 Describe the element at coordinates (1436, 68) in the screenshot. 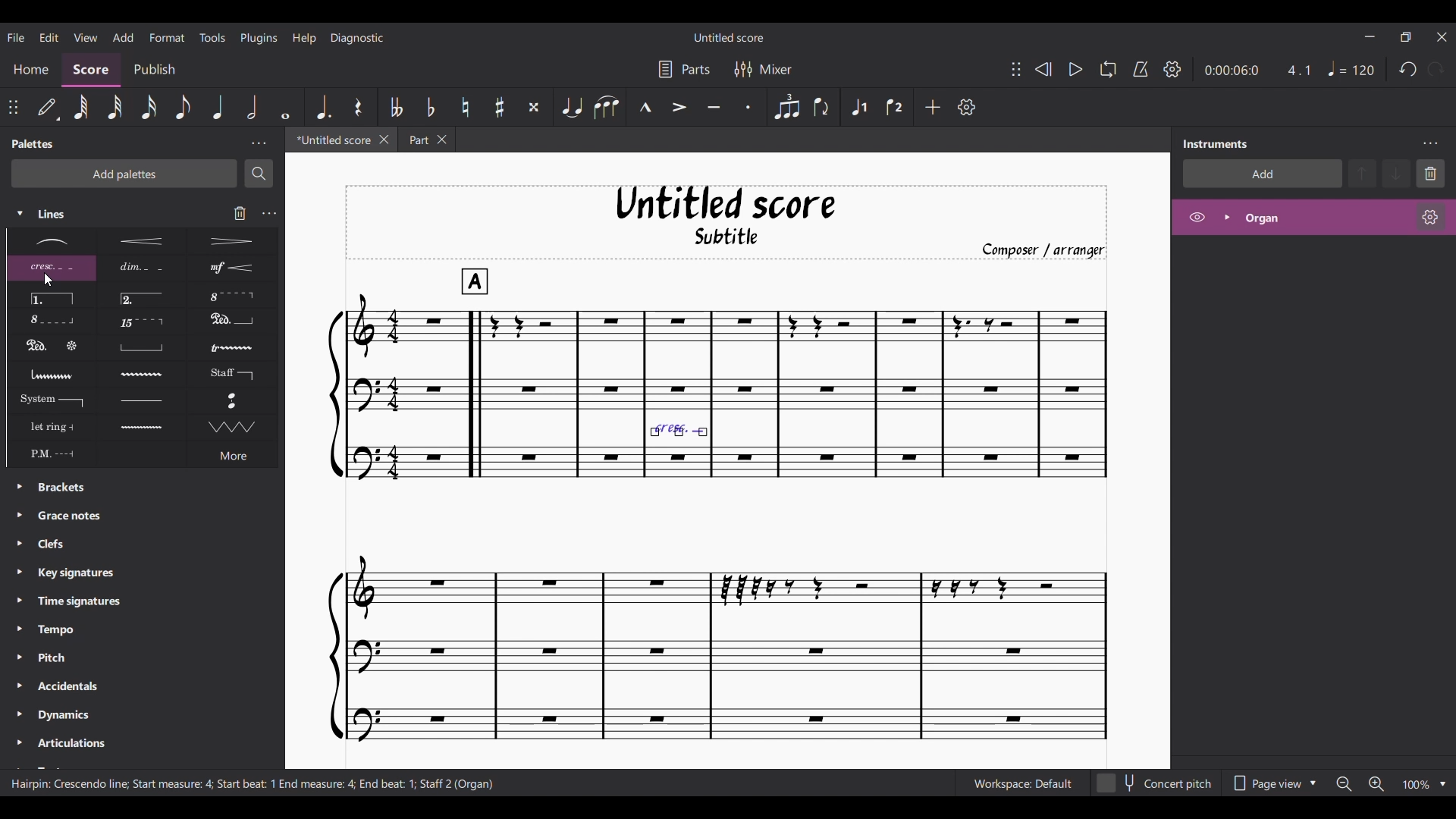

I see `Redo` at that location.